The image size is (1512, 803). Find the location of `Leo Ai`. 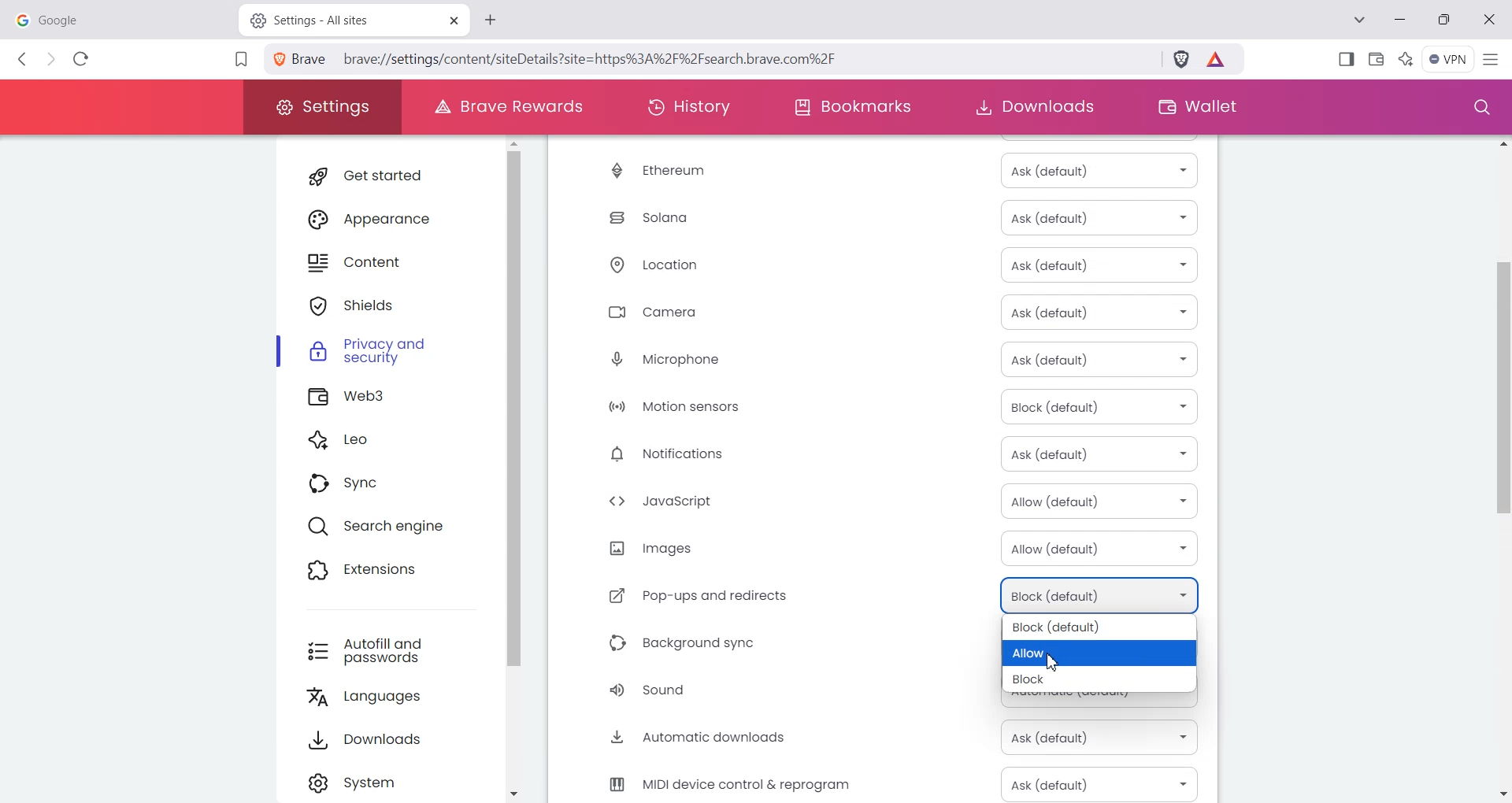

Leo Ai is located at coordinates (1406, 57).